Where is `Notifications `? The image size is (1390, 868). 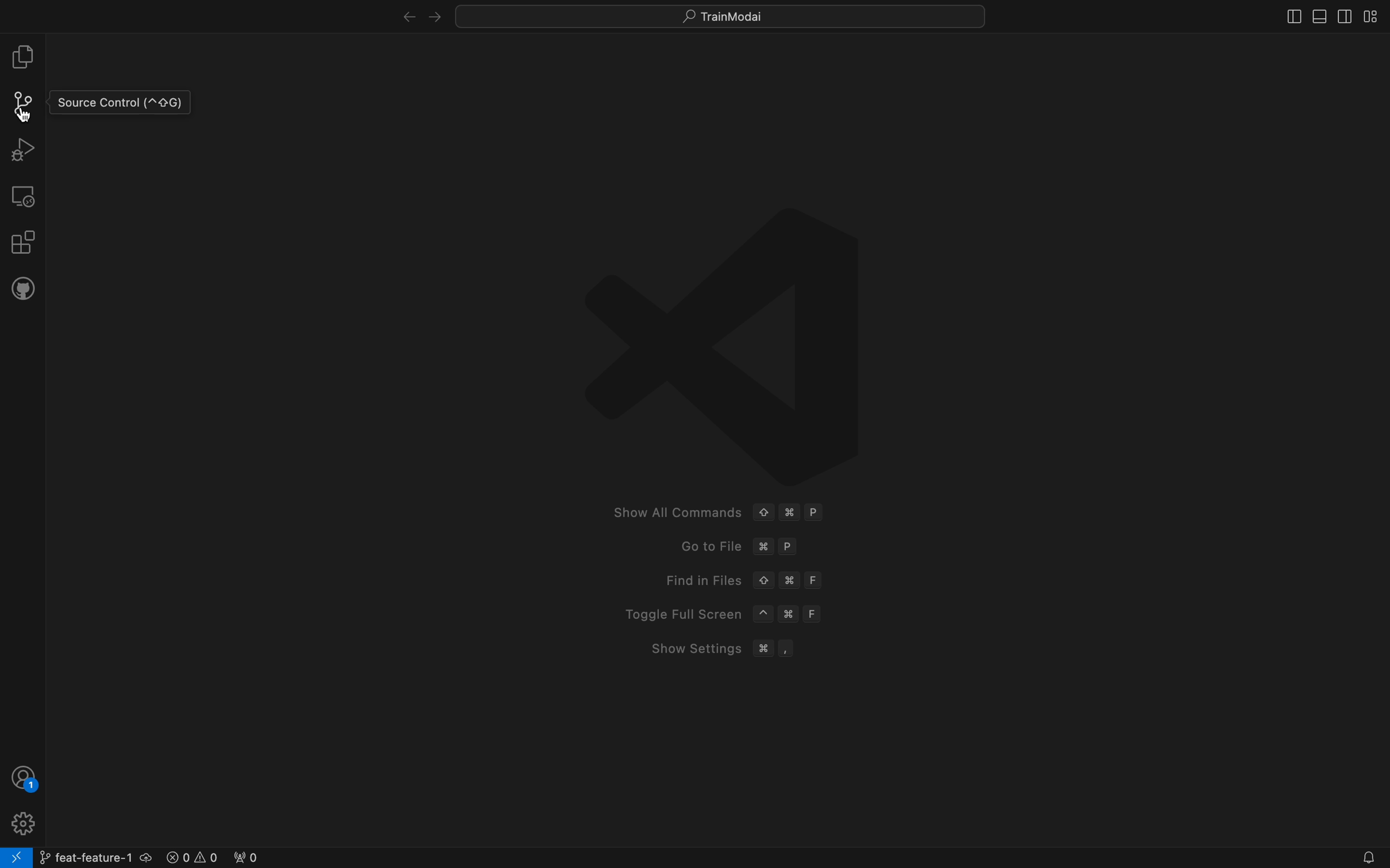 Notifications  is located at coordinates (1366, 858).